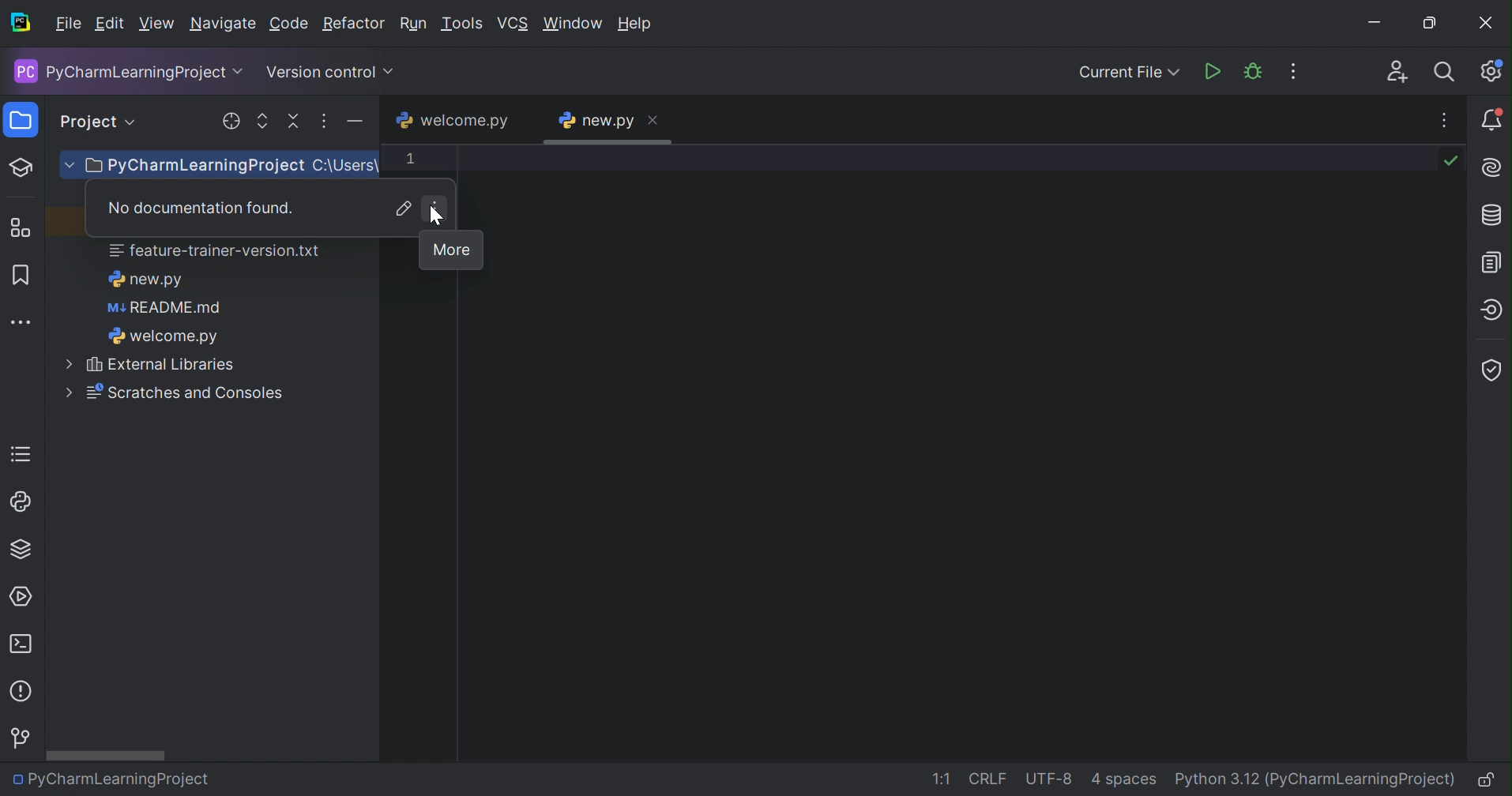  I want to click on Close, so click(655, 118).